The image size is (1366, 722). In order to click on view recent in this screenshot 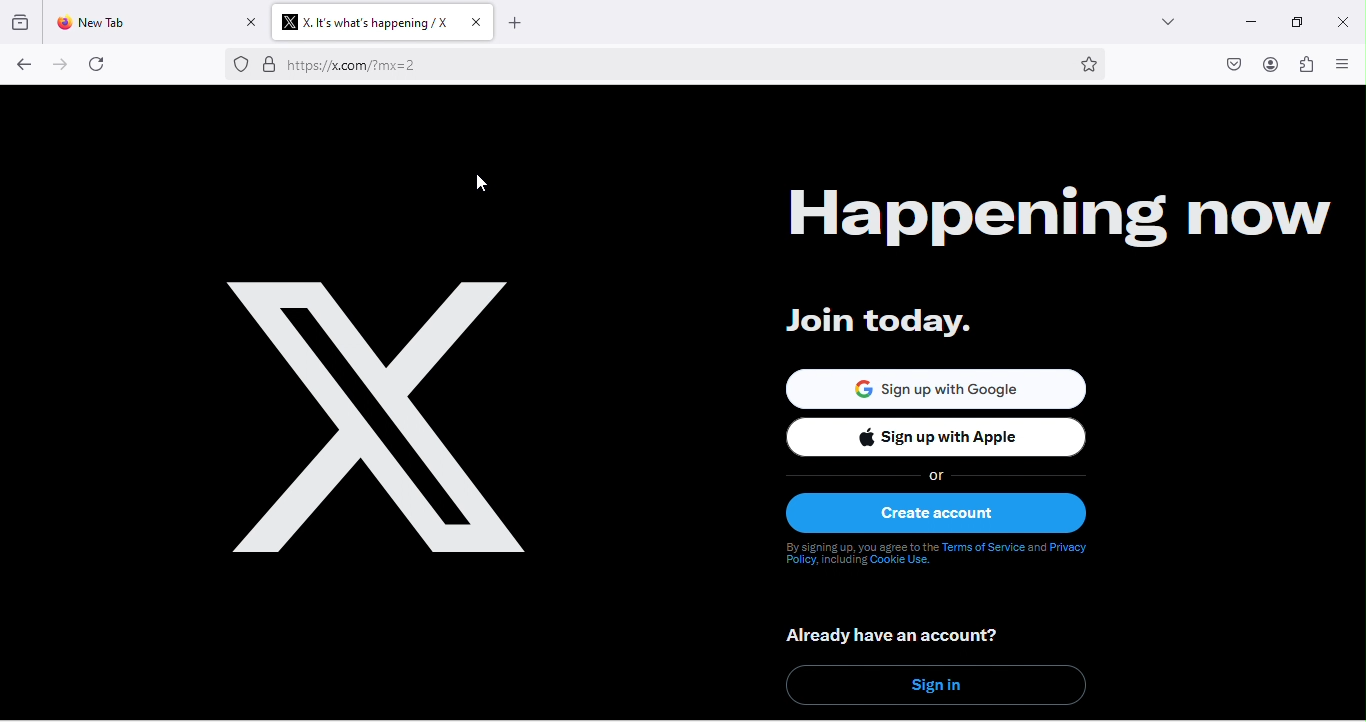, I will do `click(23, 23)`.